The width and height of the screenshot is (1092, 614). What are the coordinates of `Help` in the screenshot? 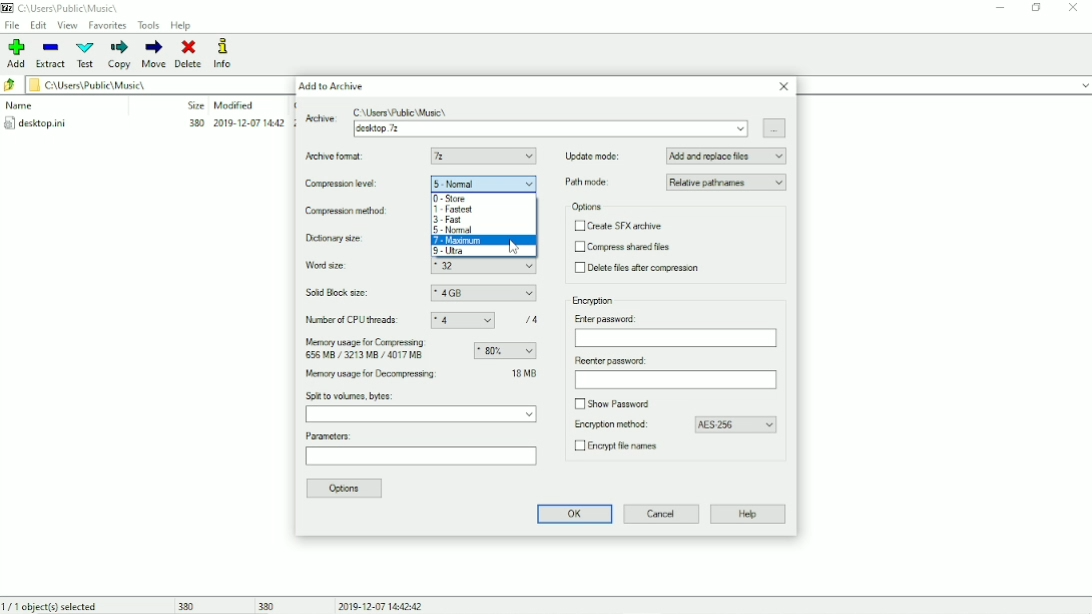 It's located at (748, 515).